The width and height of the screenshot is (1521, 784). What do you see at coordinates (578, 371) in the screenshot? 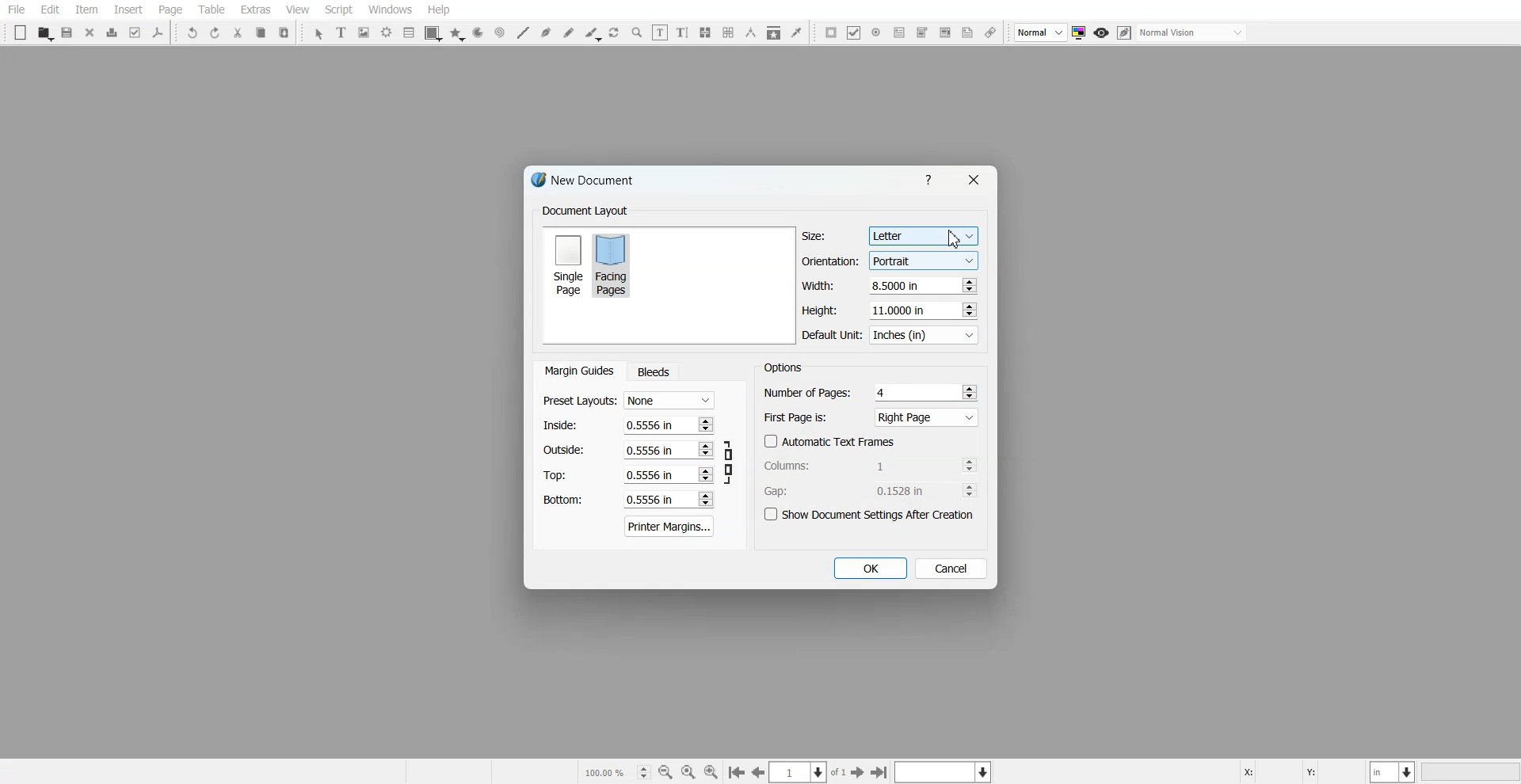
I see `Margin Guides` at bounding box center [578, 371].